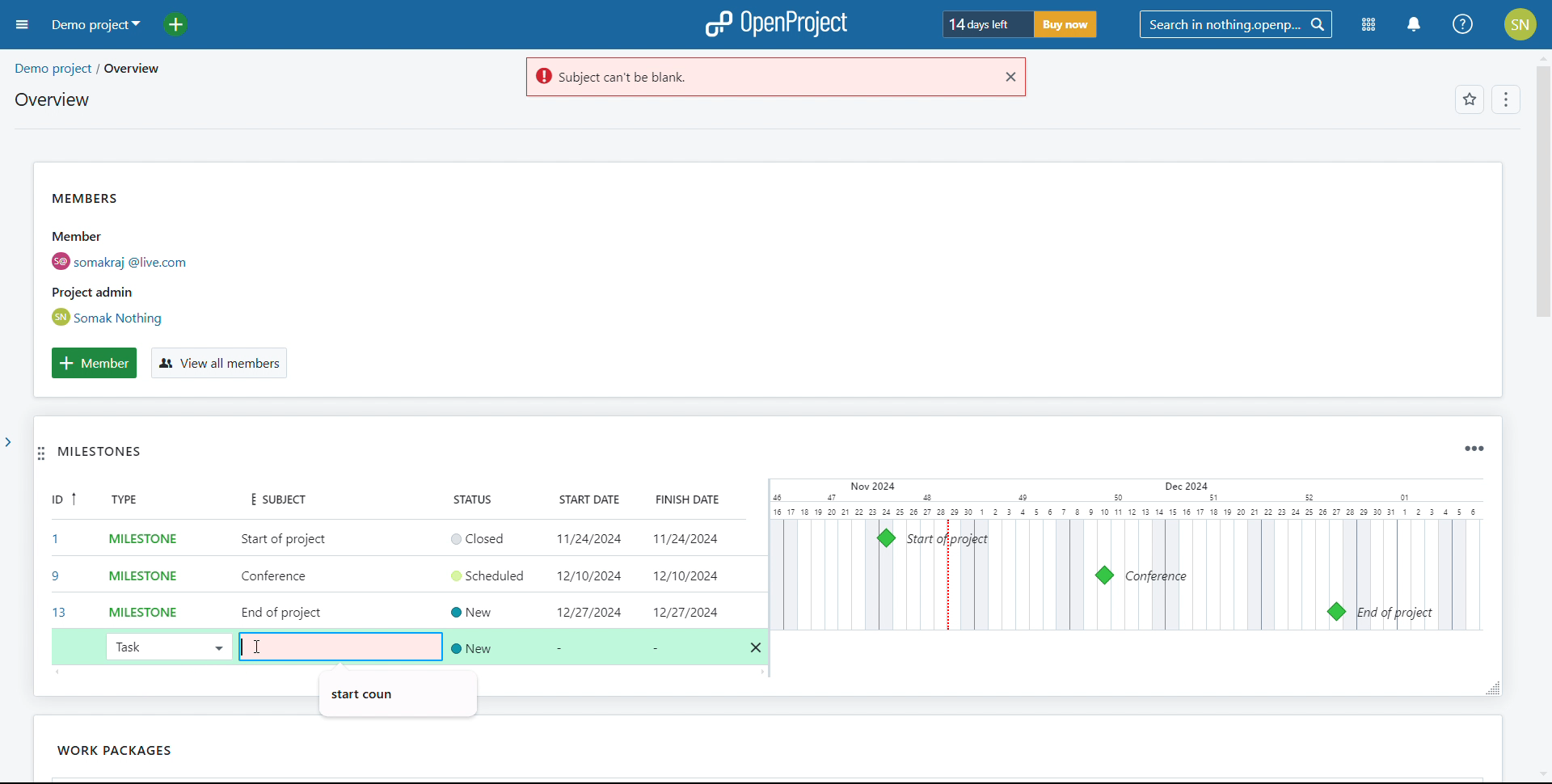  I want to click on task selected, so click(167, 646).